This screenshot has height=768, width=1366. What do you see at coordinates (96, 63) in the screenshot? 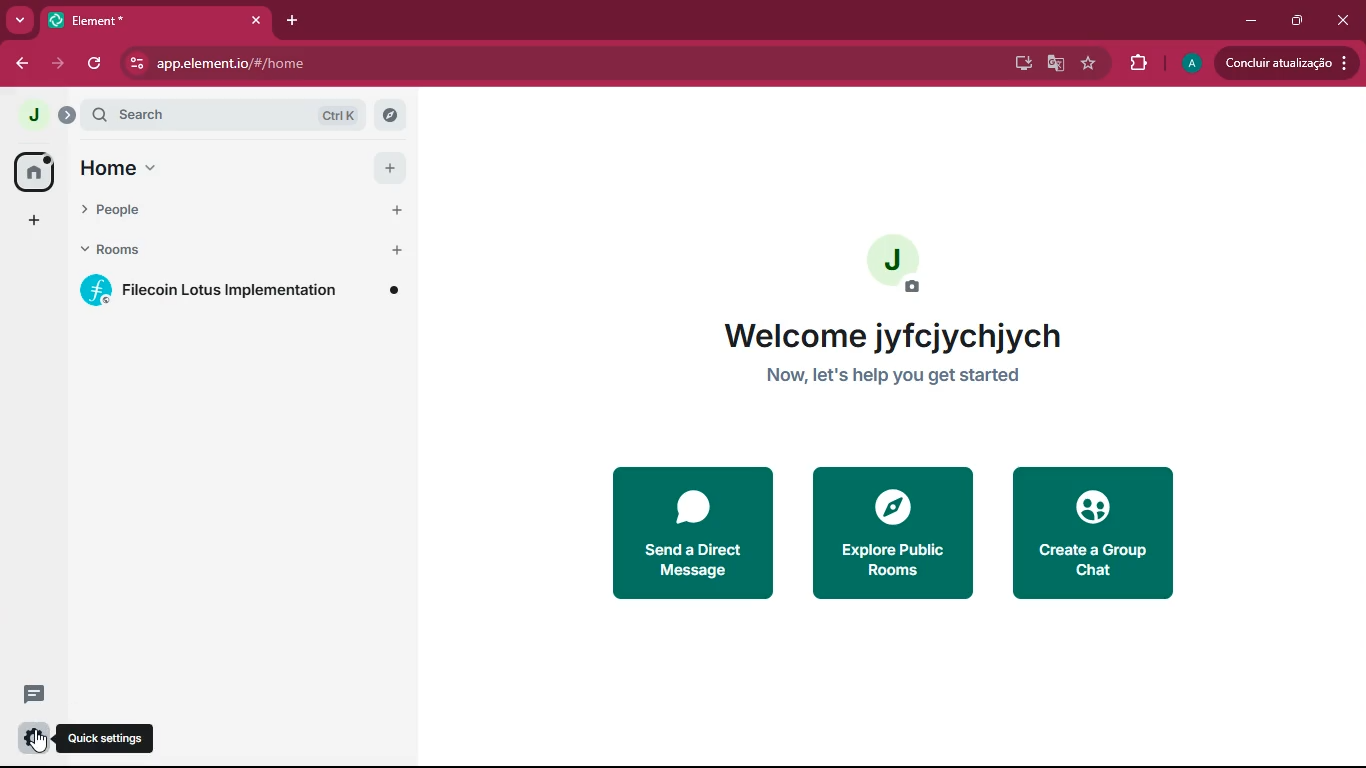
I see `refresh` at bounding box center [96, 63].